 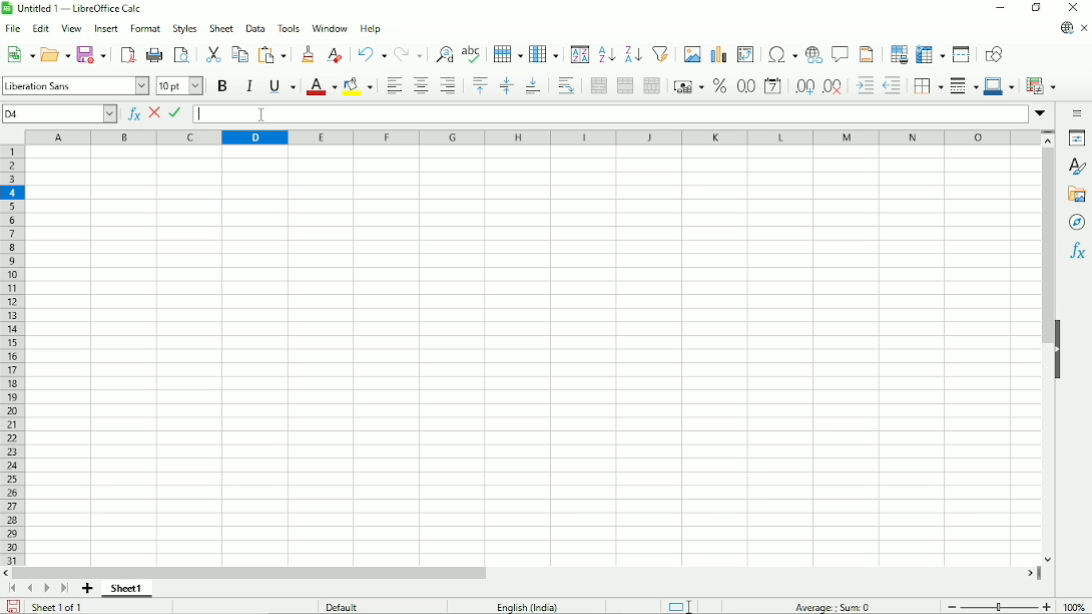 What do you see at coordinates (930, 87) in the screenshot?
I see `Borders` at bounding box center [930, 87].